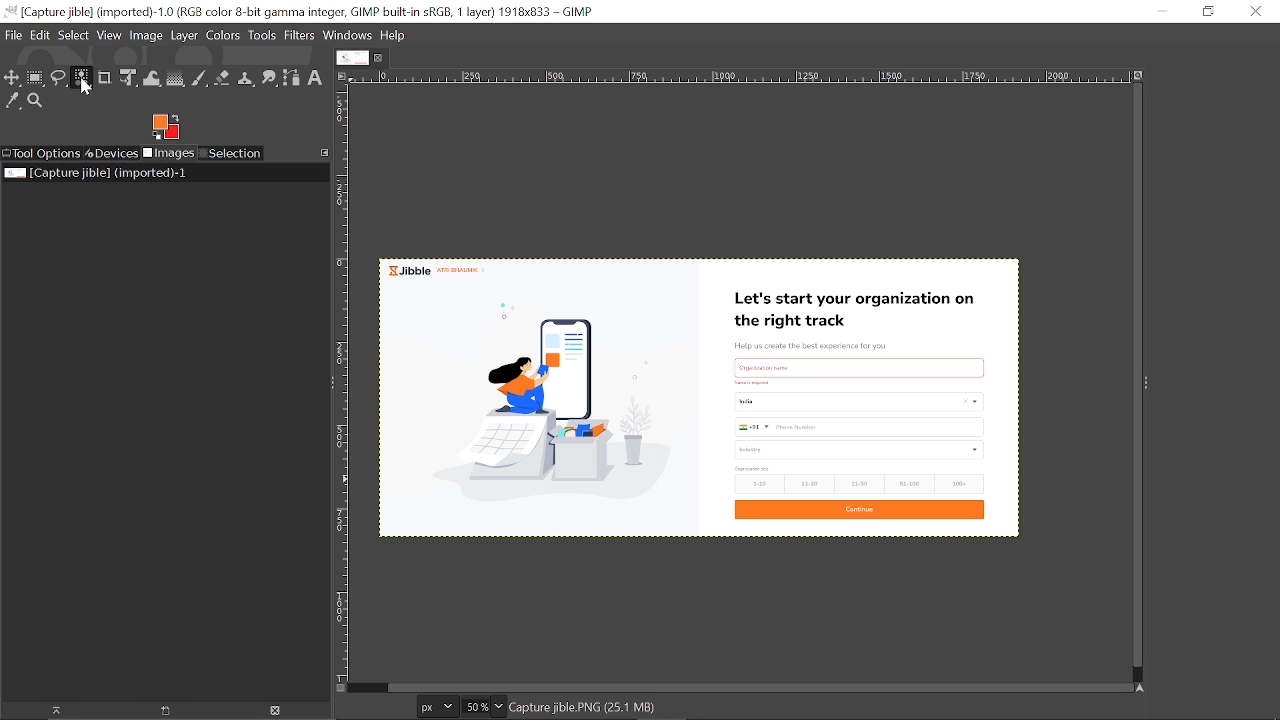  I want to click on Path tool, so click(291, 78).